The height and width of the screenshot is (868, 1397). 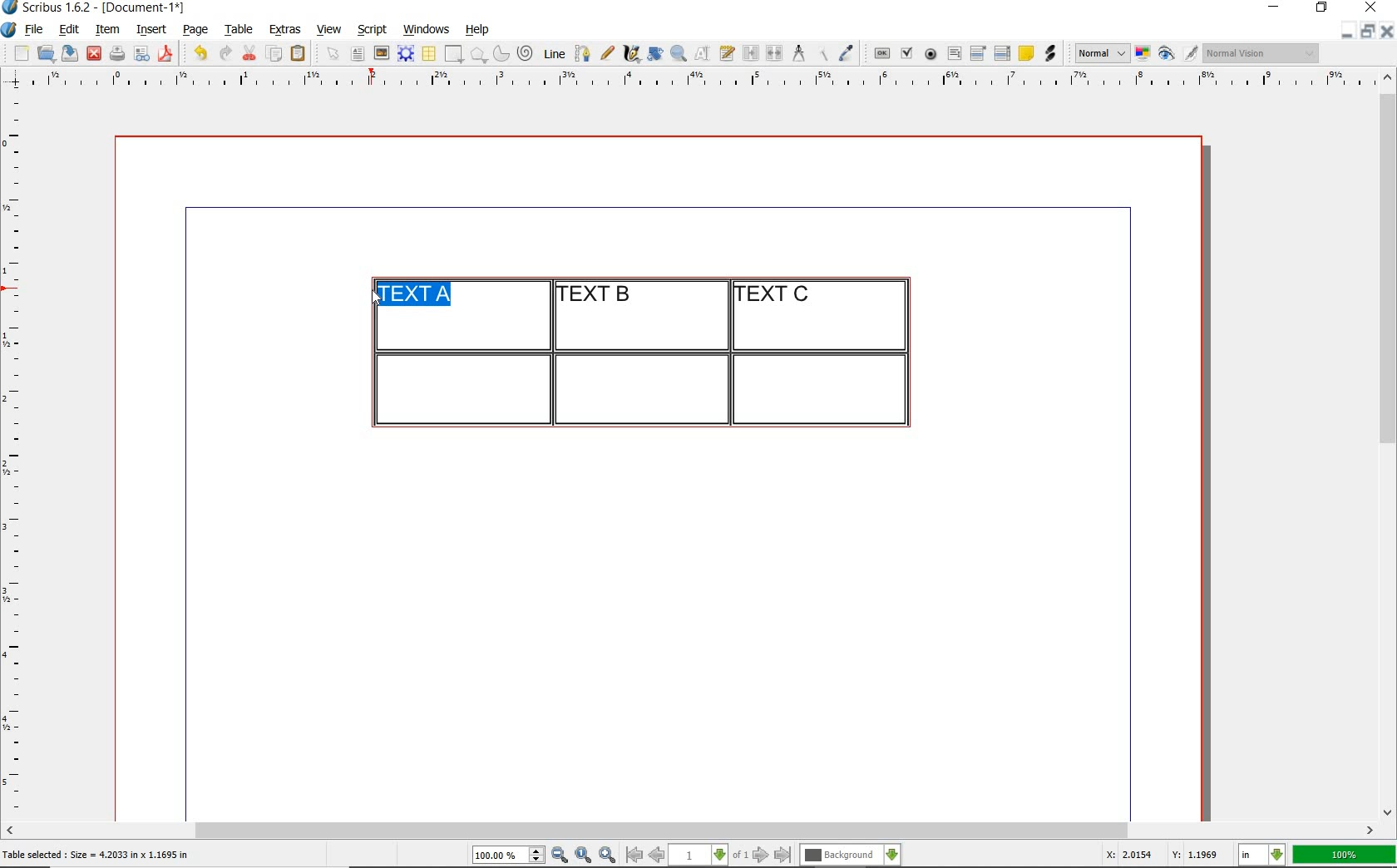 What do you see at coordinates (374, 297) in the screenshot?
I see `cursor` at bounding box center [374, 297].